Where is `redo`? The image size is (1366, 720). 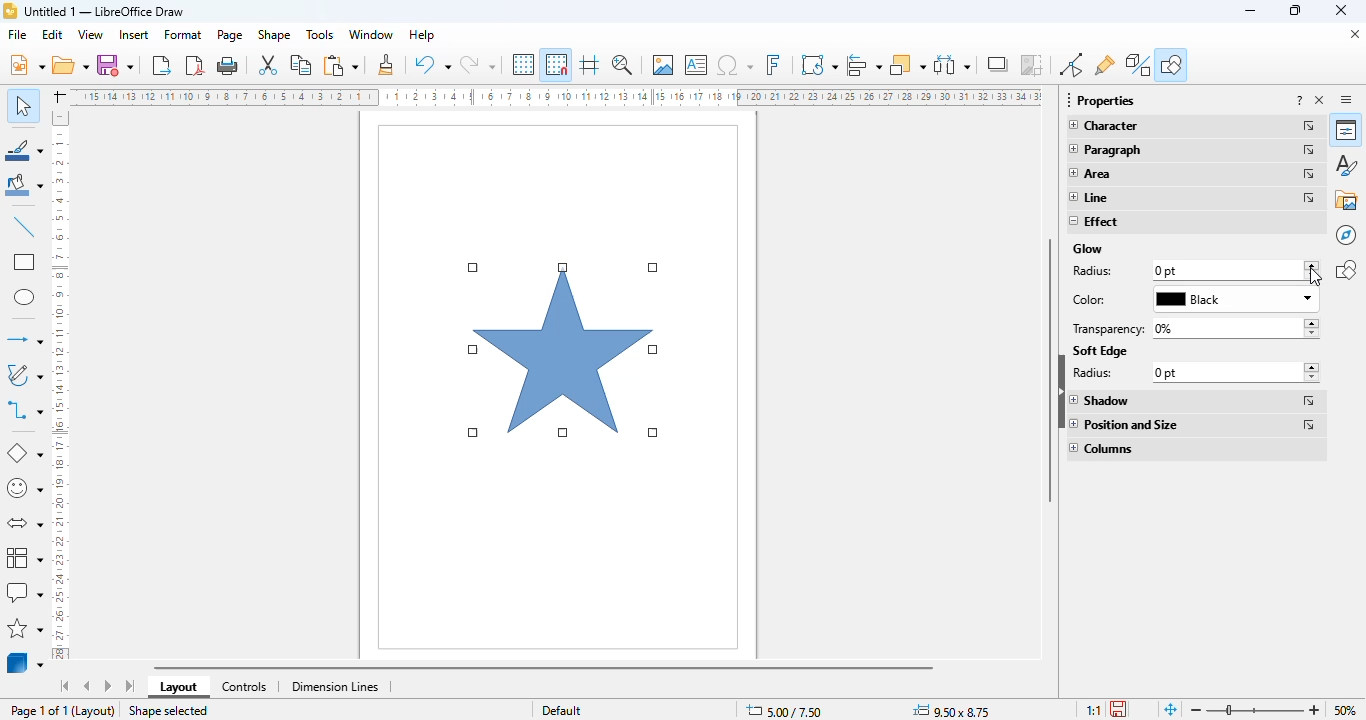 redo is located at coordinates (477, 64).